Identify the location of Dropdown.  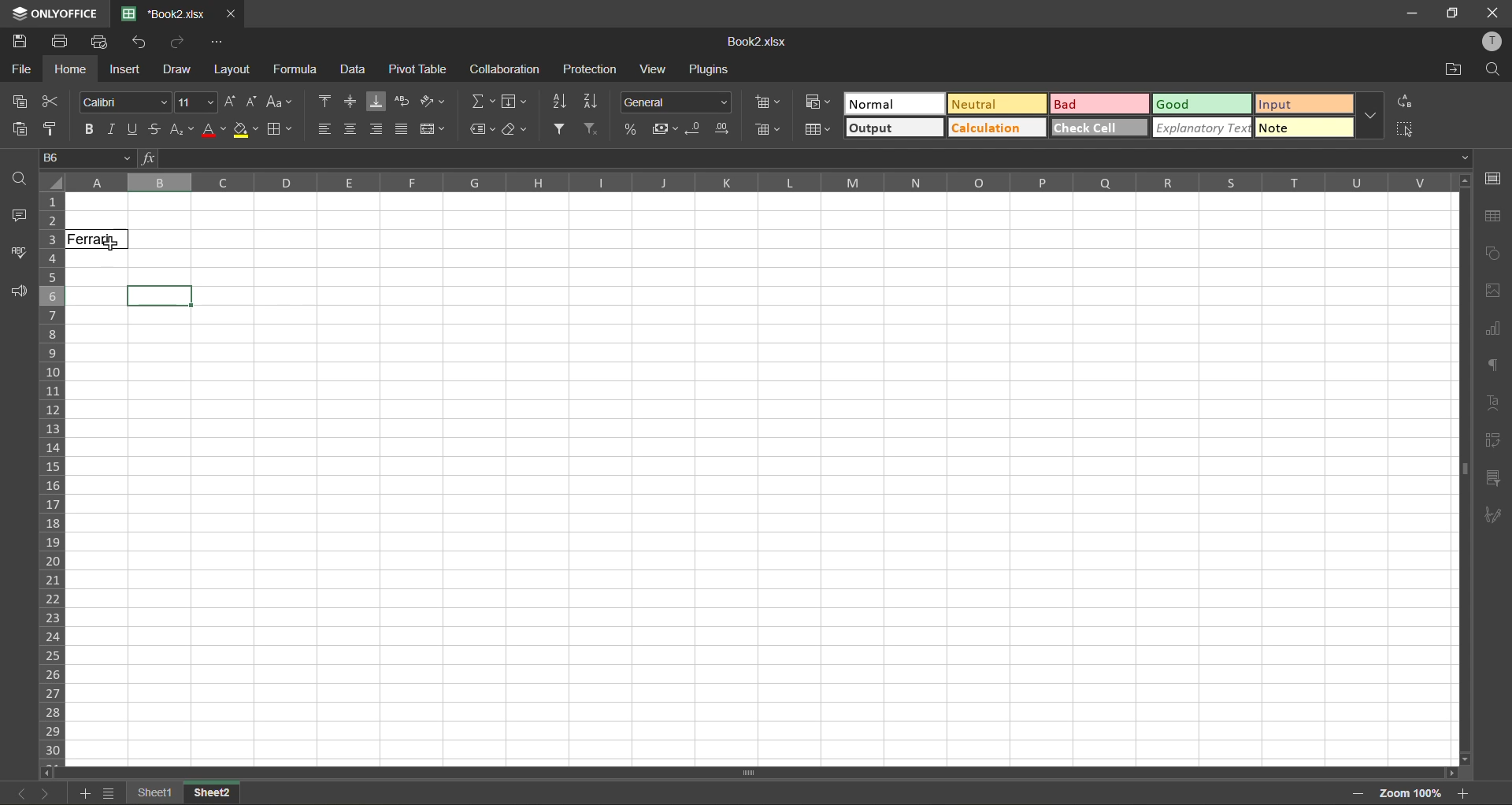
(1466, 158).